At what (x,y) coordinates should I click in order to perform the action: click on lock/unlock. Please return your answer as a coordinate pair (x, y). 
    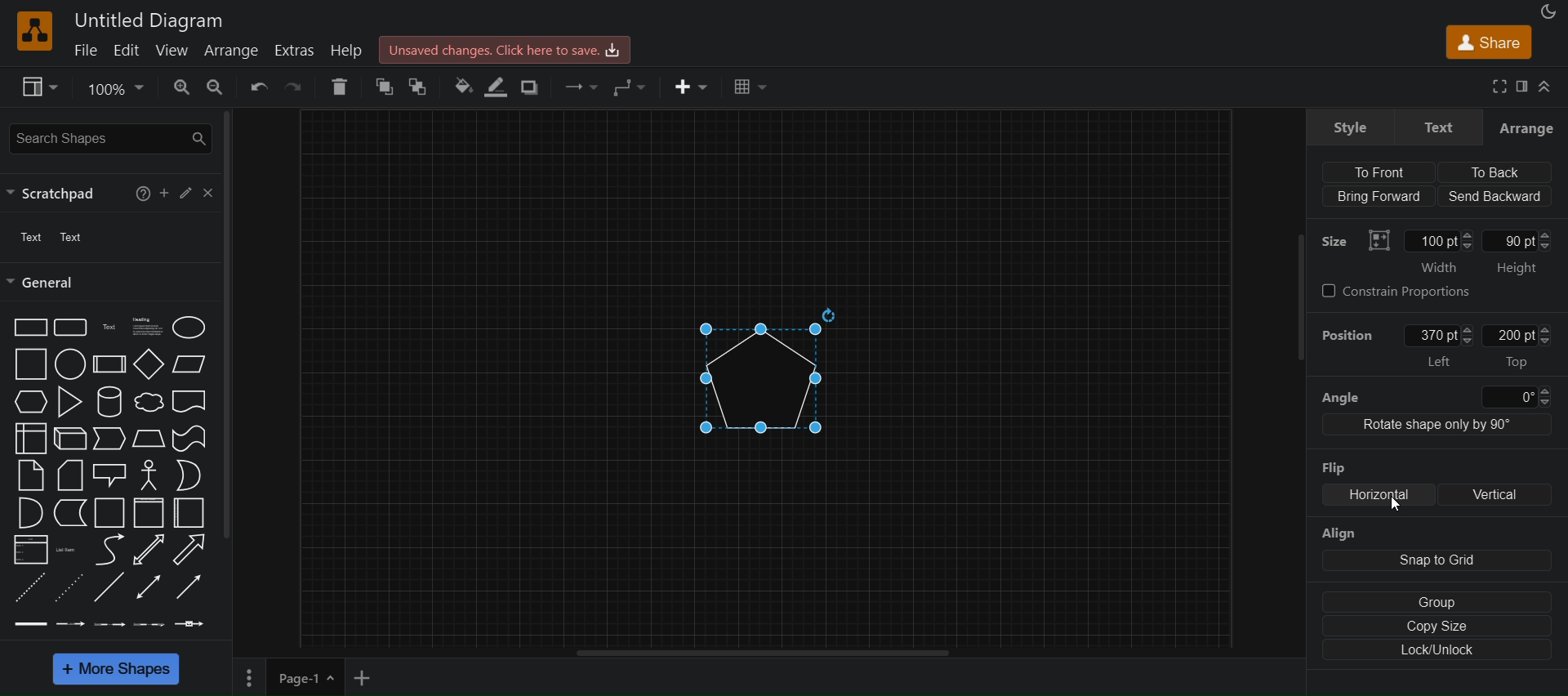
    Looking at the image, I should click on (1437, 649).